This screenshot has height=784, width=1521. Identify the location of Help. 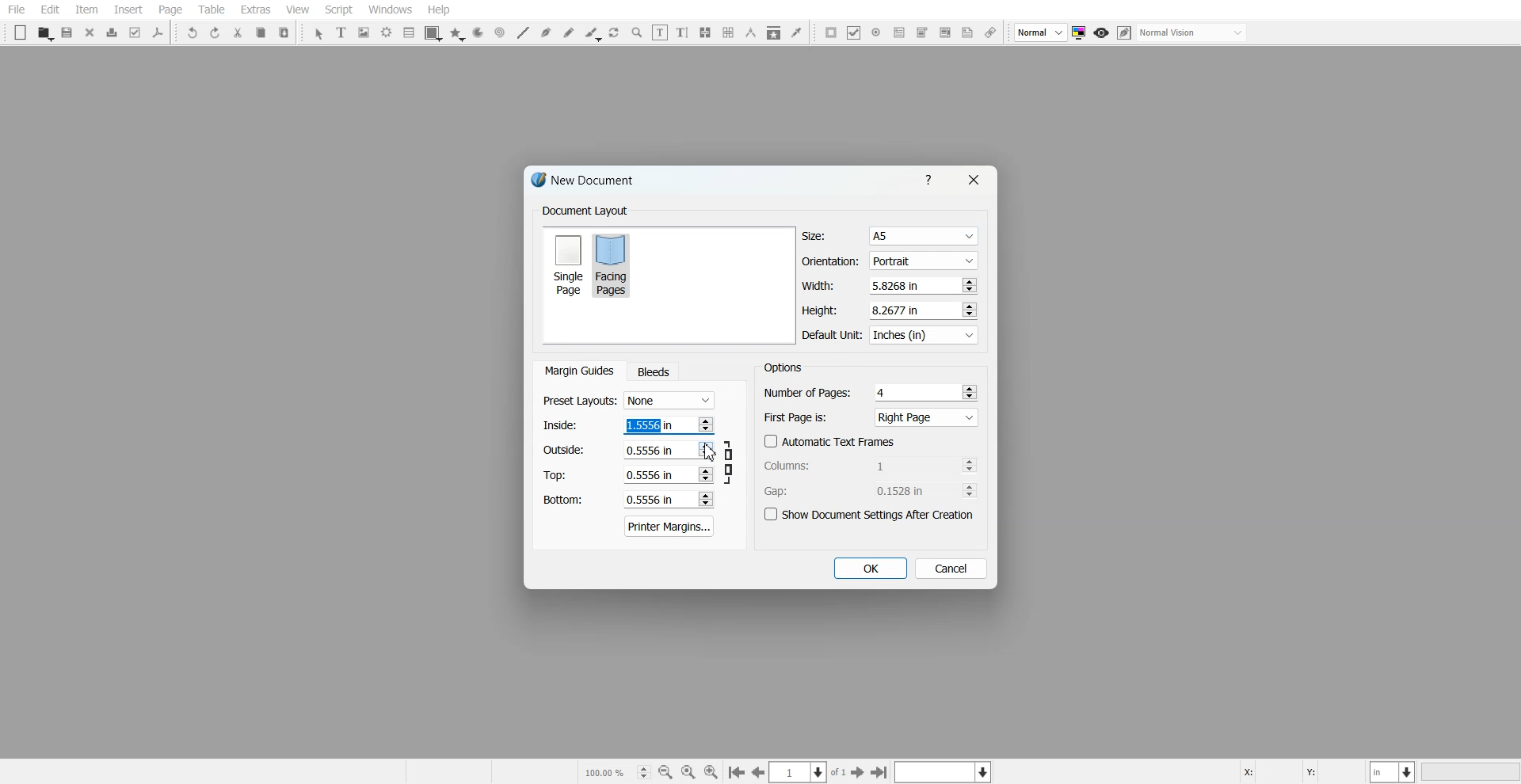
(932, 179).